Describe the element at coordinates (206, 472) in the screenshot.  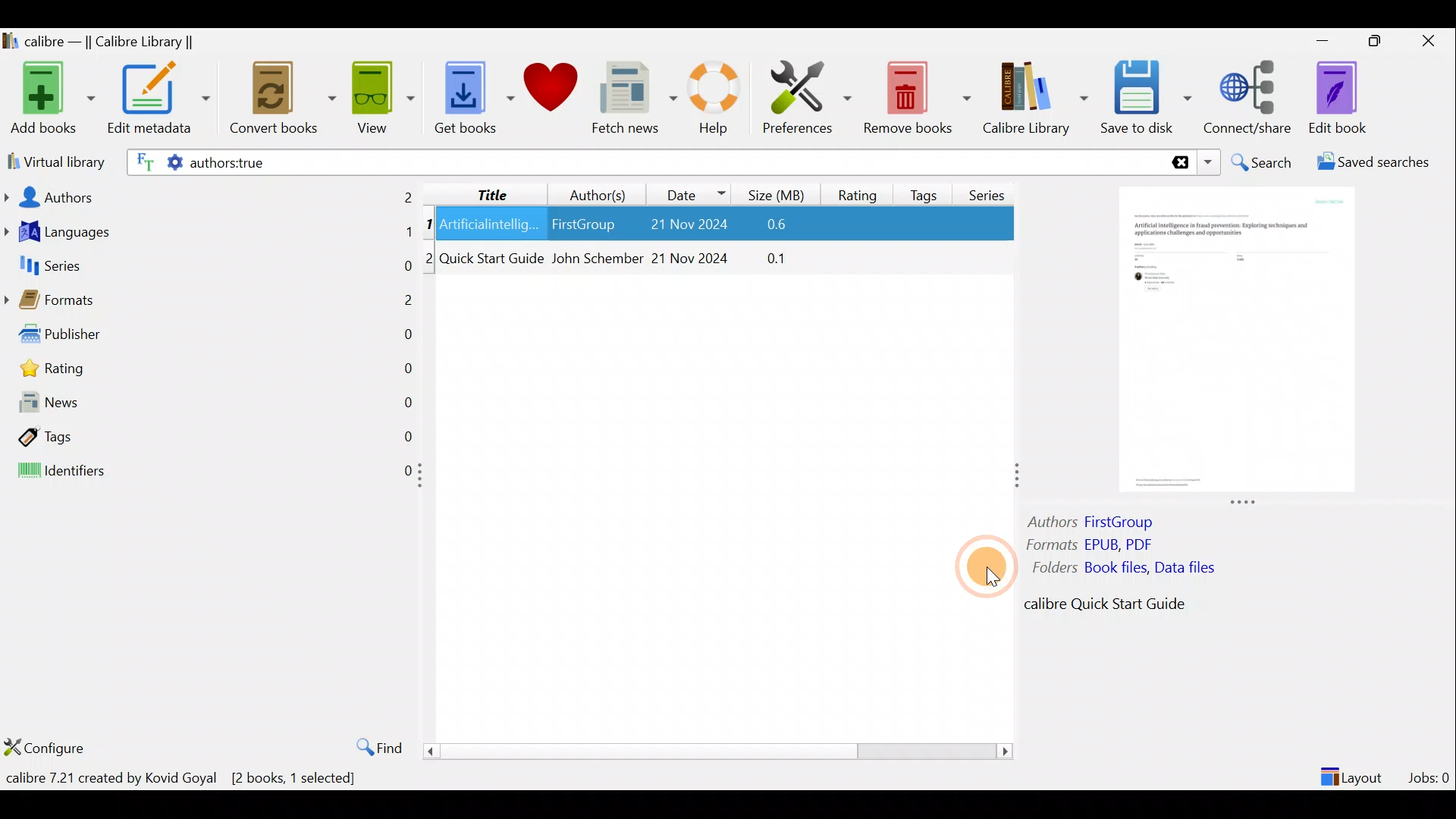
I see `Identifiers` at that location.